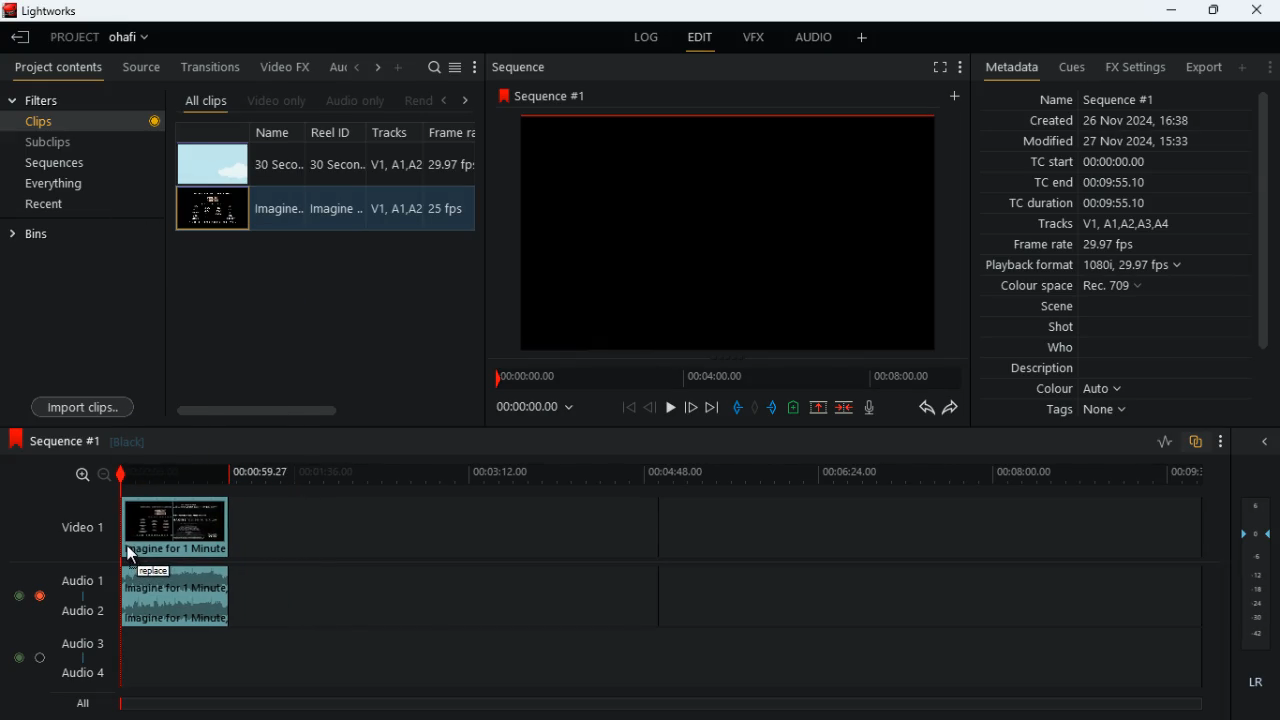 The width and height of the screenshot is (1280, 720). Describe the element at coordinates (18, 657) in the screenshot. I see `toggle` at that location.